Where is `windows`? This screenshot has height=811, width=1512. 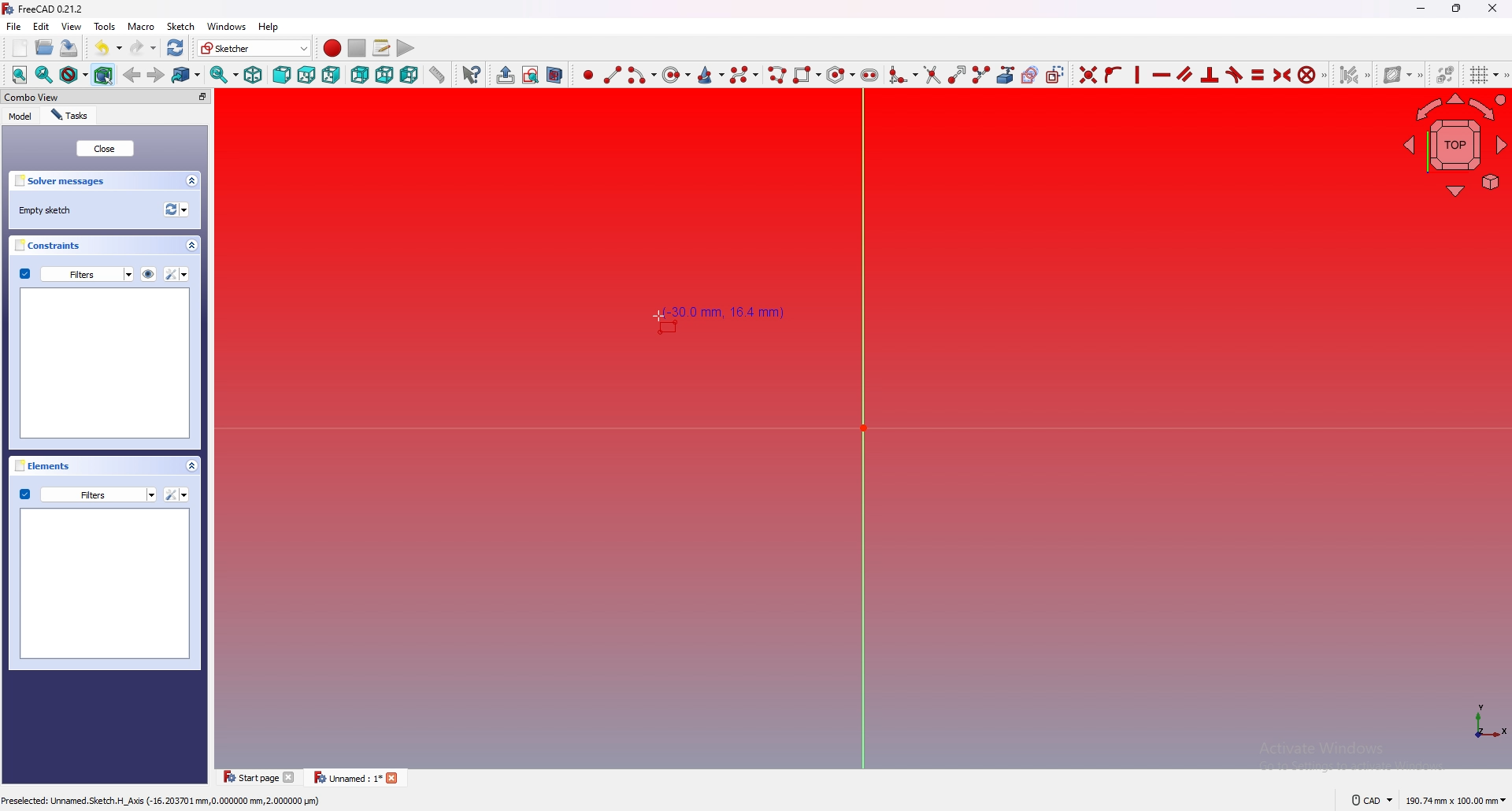 windows is located at coordinates (226, 26).